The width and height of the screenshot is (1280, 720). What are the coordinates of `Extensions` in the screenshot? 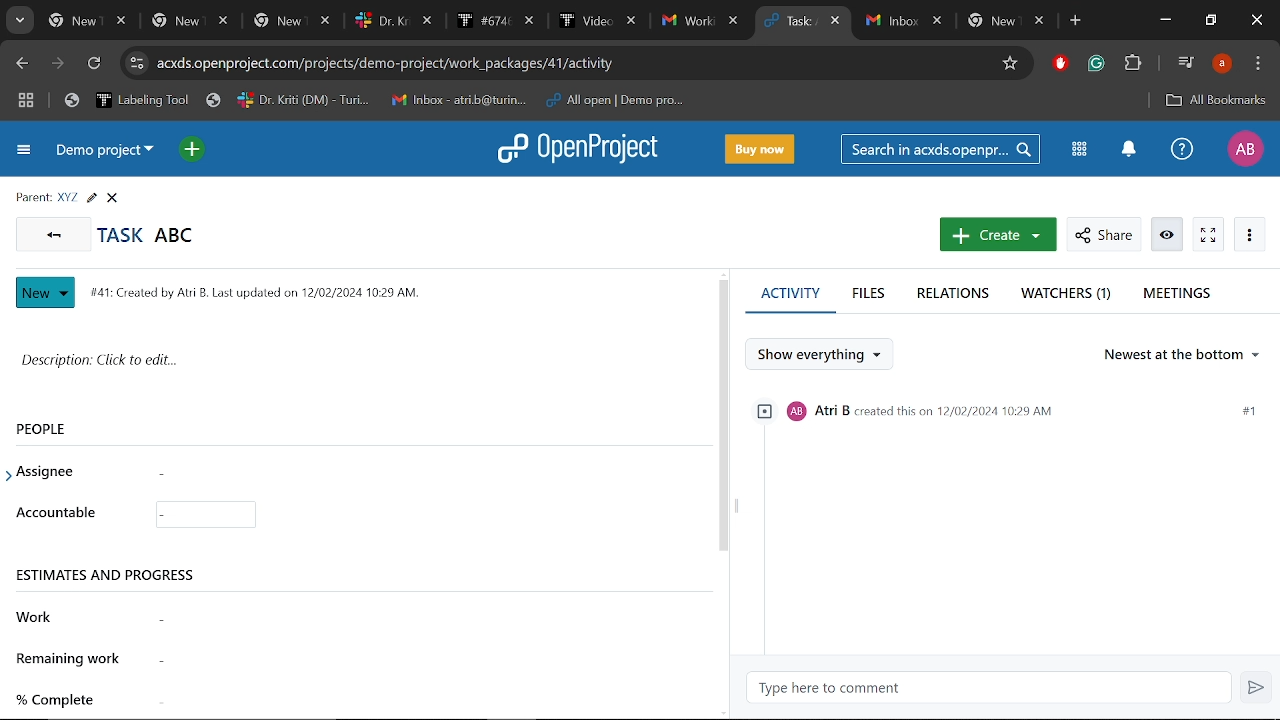 It's located at (1132, 64).